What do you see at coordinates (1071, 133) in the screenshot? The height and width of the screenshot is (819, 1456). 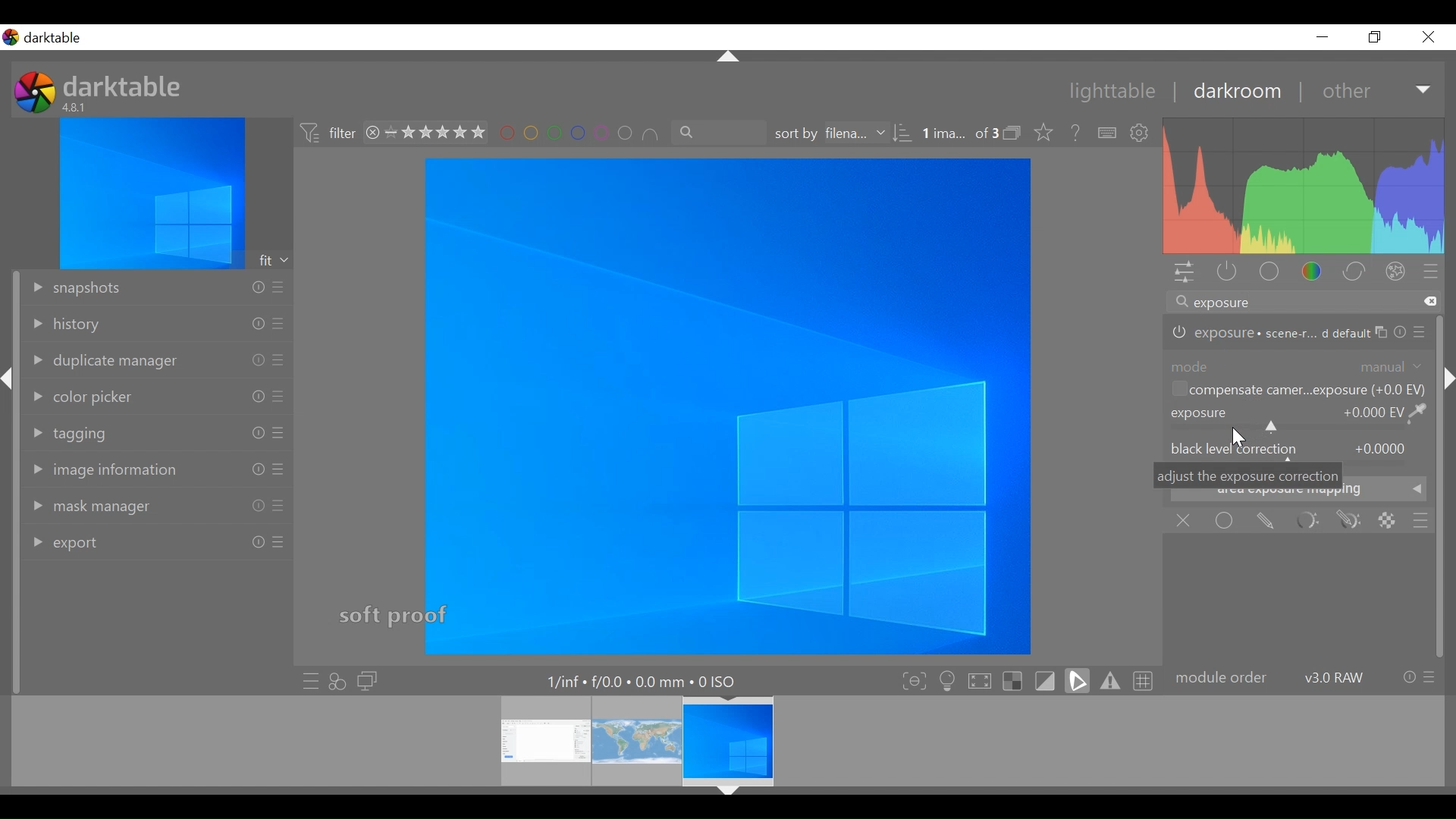 I see `help` at bounding box center [1071, 133].